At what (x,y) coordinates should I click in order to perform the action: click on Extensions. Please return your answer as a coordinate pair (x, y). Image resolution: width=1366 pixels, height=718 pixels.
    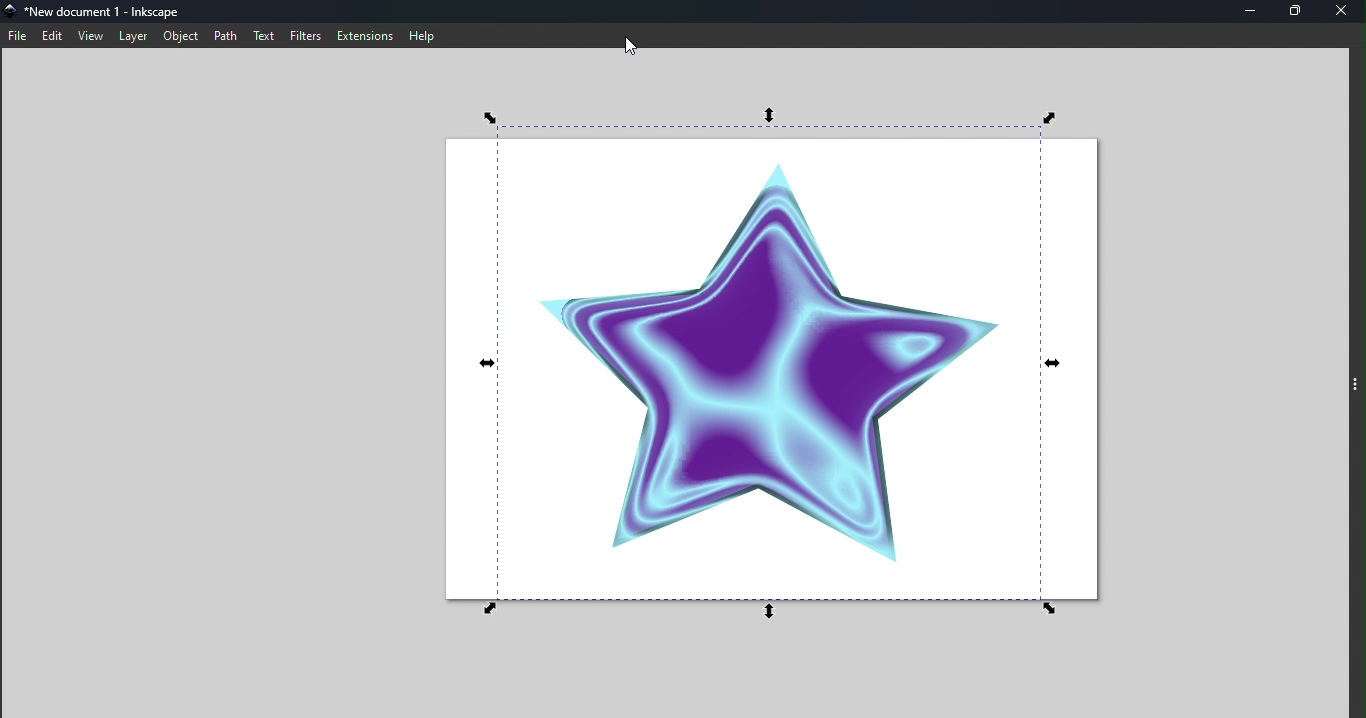
    Looking at the image, I should click on (360, 34).